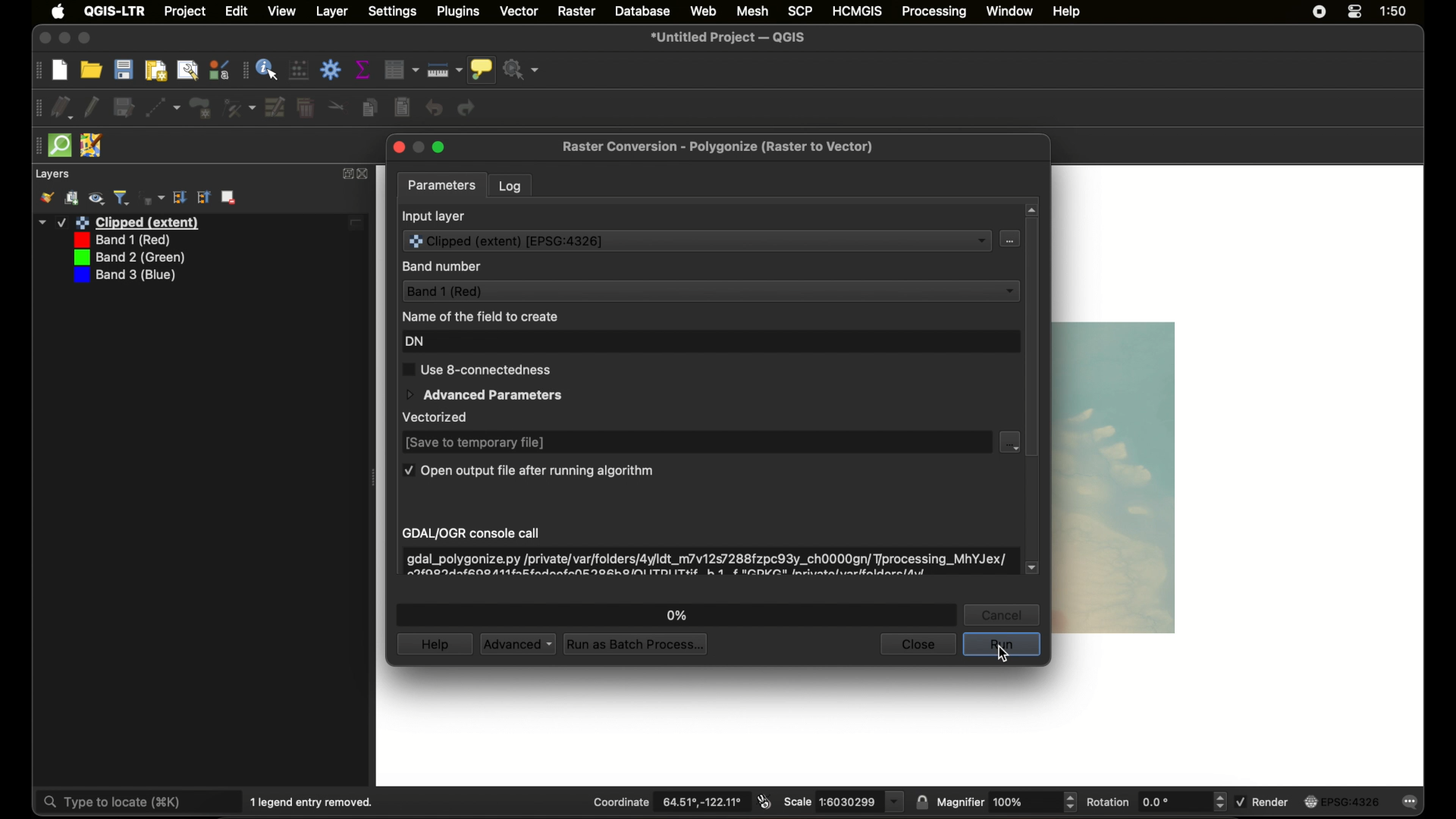 Image resolution: width=1456 pixels, height=819 pixels. Describe the element at coordinates (635, 643) in the screenshot. I see `run as batch process` at that location.